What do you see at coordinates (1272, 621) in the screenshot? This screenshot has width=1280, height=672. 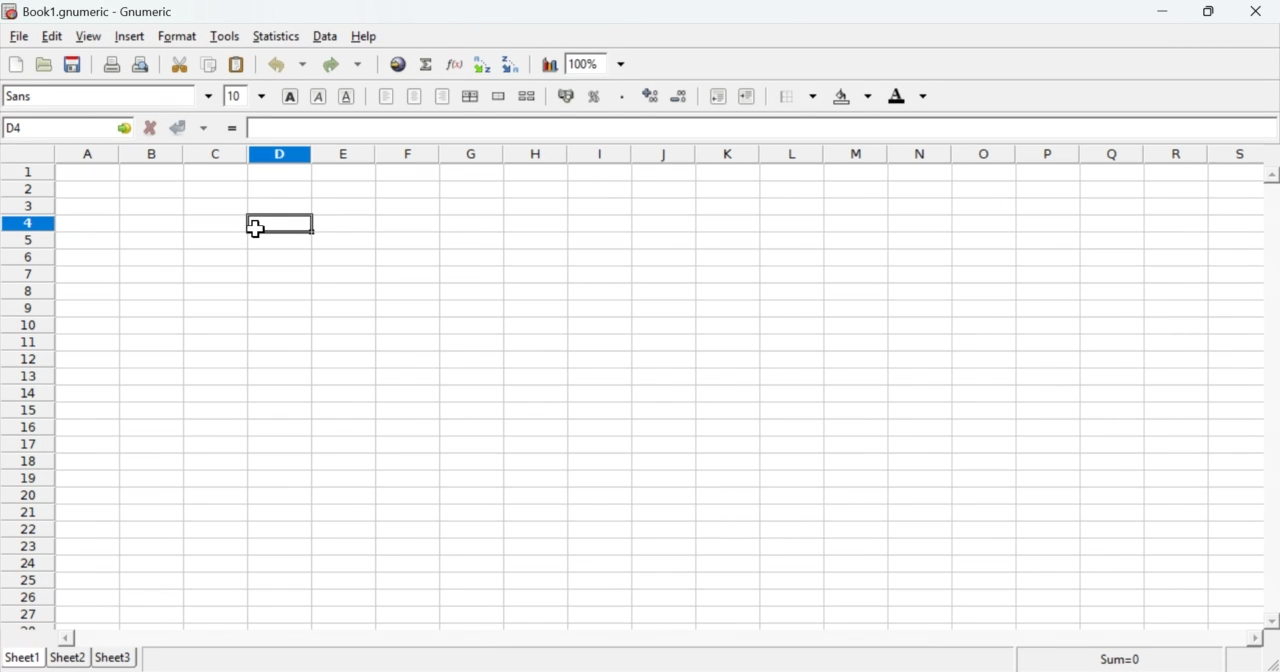 I see `scroll down` at bounding box center [1272, 621].